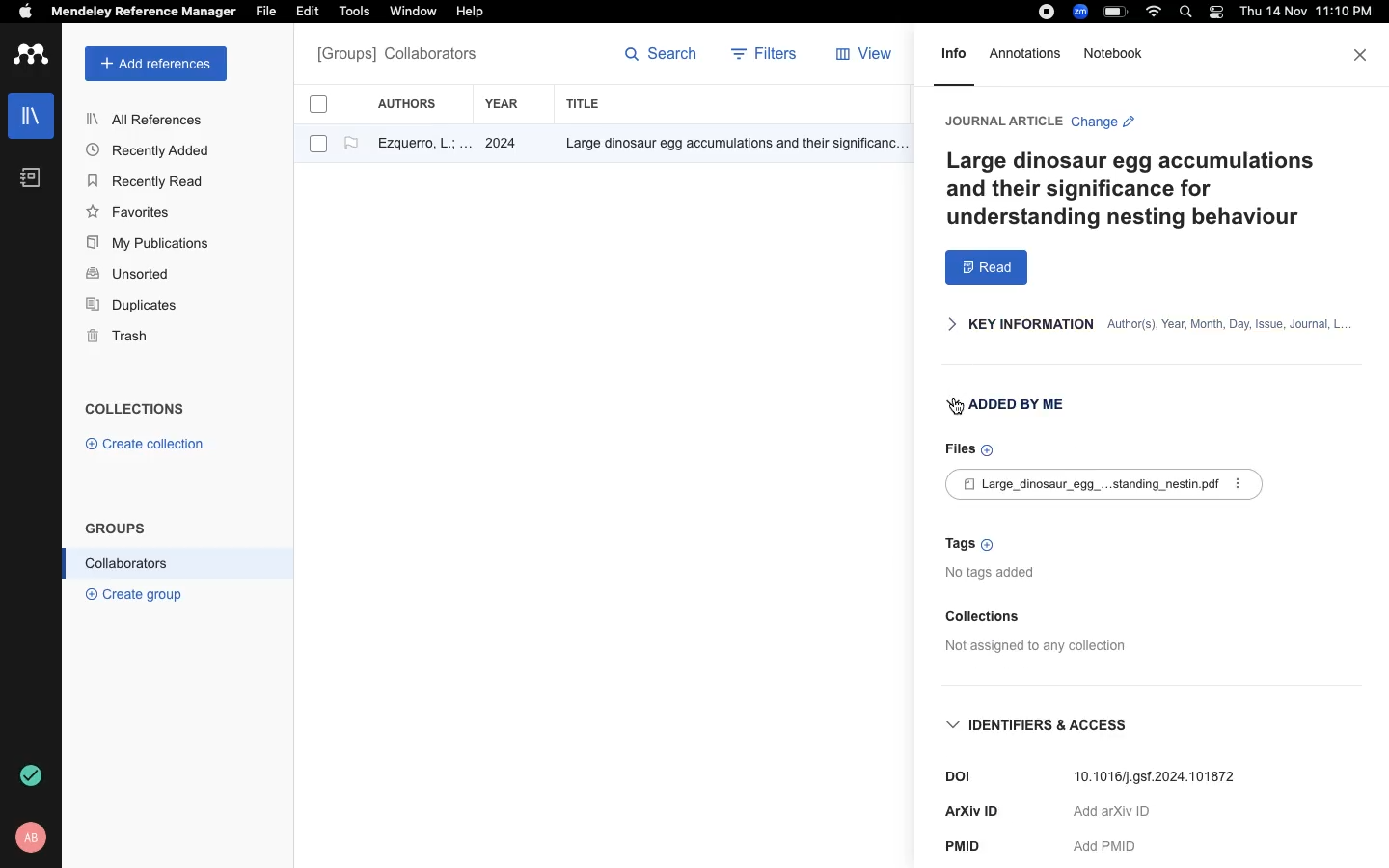 The height and width of the screenshot is (868, 1389). Describe the element at coordinates (130, 593) in the screenshot. I see `® Create group` at that location.